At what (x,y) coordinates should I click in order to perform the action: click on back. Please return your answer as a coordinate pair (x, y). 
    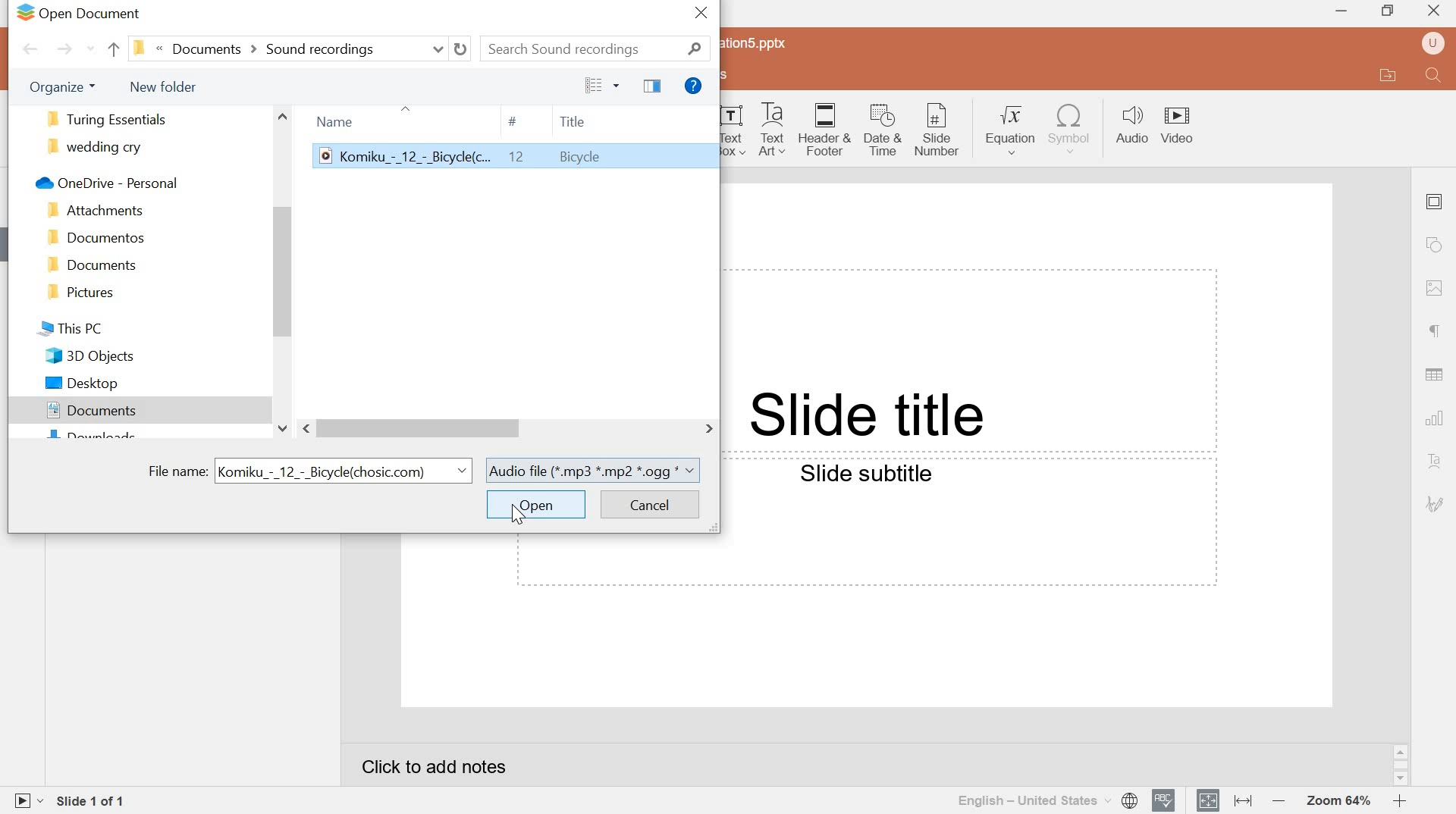
    Looking at the image, I should click on (30, 48).